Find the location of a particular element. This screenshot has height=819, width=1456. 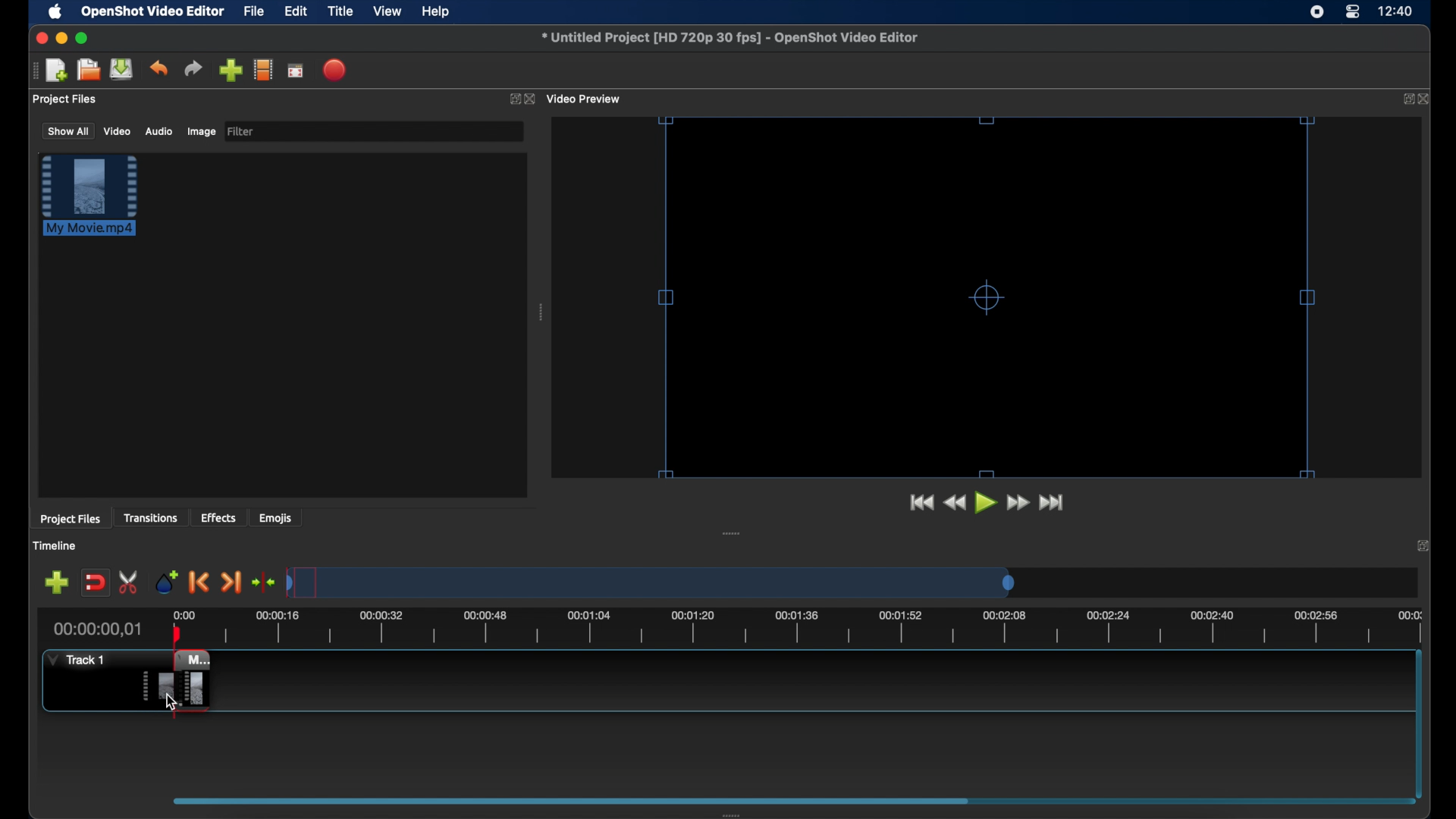

drag handle is located at coordinates (541, 314).